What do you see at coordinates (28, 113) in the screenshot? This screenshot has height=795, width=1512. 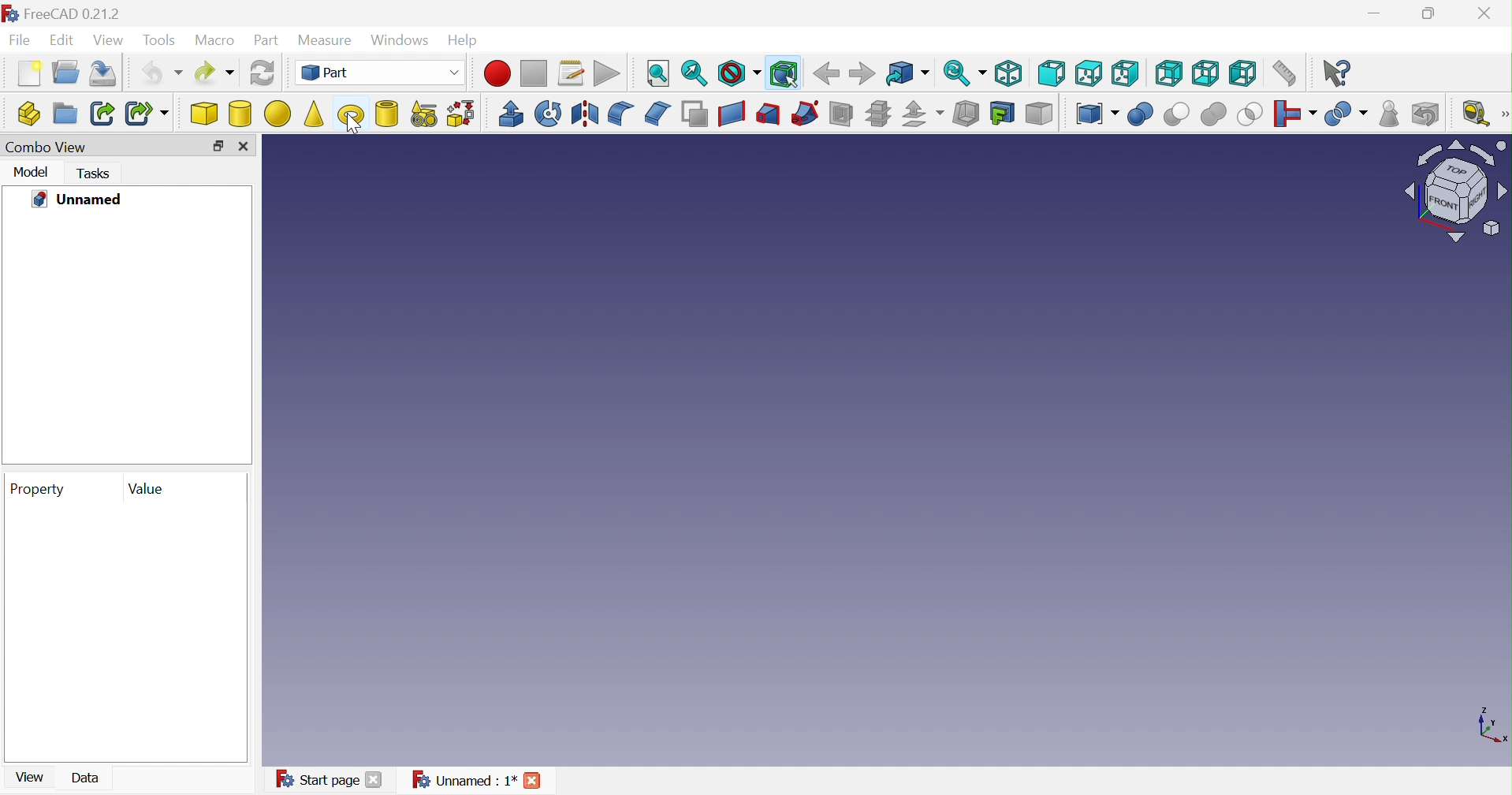 I see `Create part` at bounding box center [28, 113].